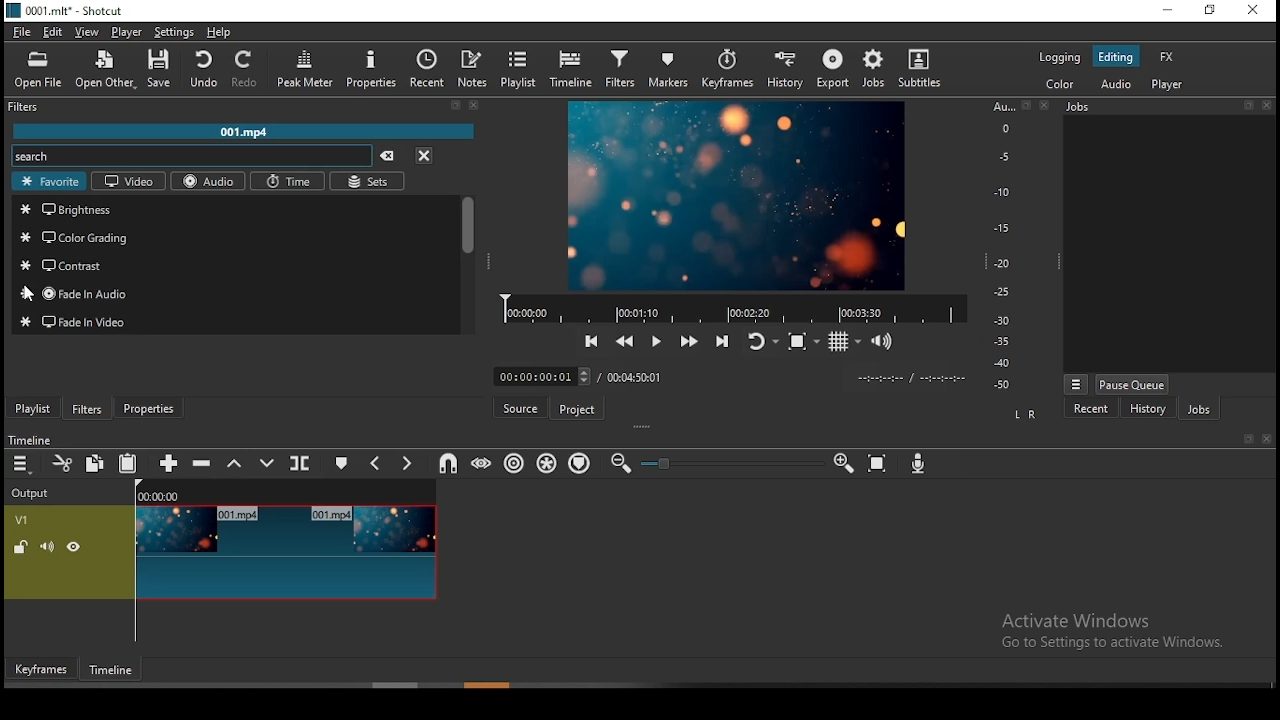 This screenshot has width=1280, height=720. I want to click on play, so click(660, 340).